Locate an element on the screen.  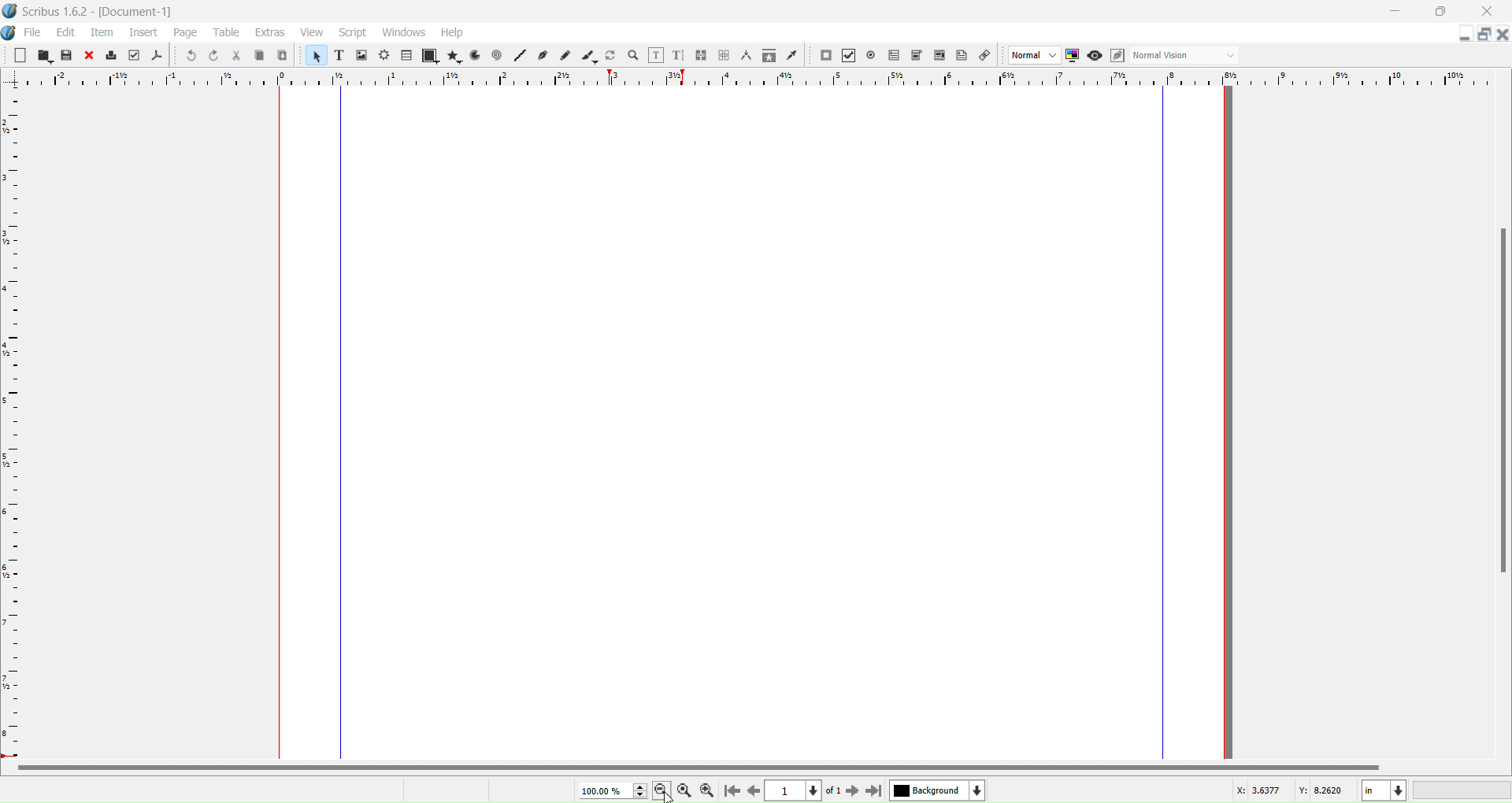
Rotate Item is located at coordinates (610, 55).